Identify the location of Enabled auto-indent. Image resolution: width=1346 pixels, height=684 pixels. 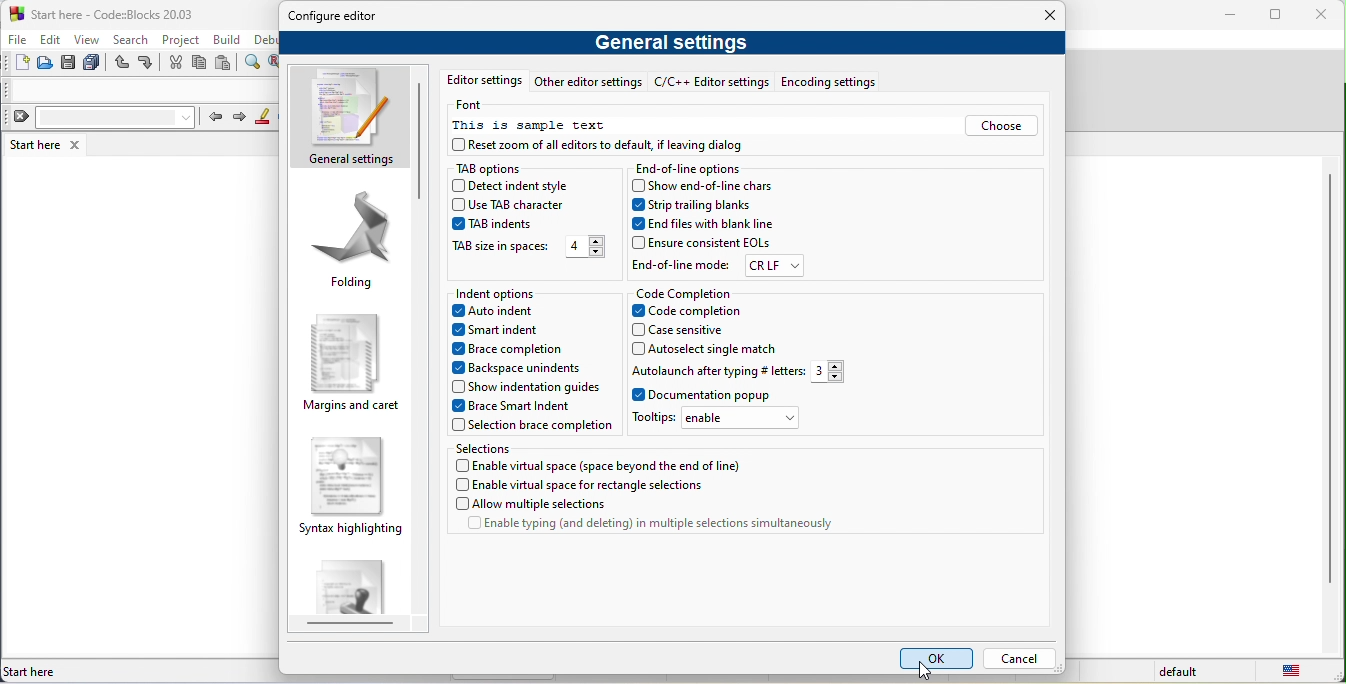
(506, 313).